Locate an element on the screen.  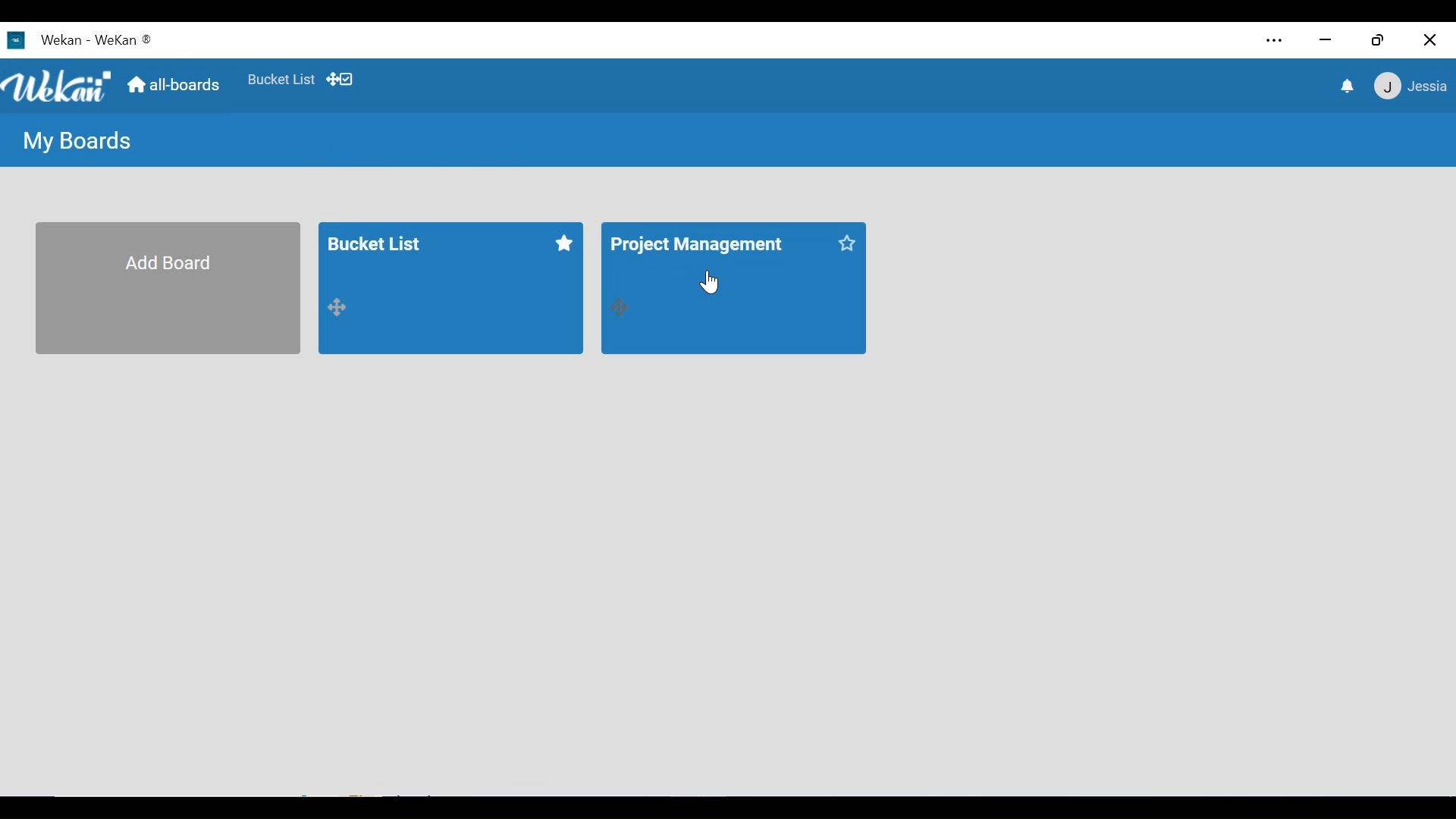
My Boards is located at coordinates (80, 144).